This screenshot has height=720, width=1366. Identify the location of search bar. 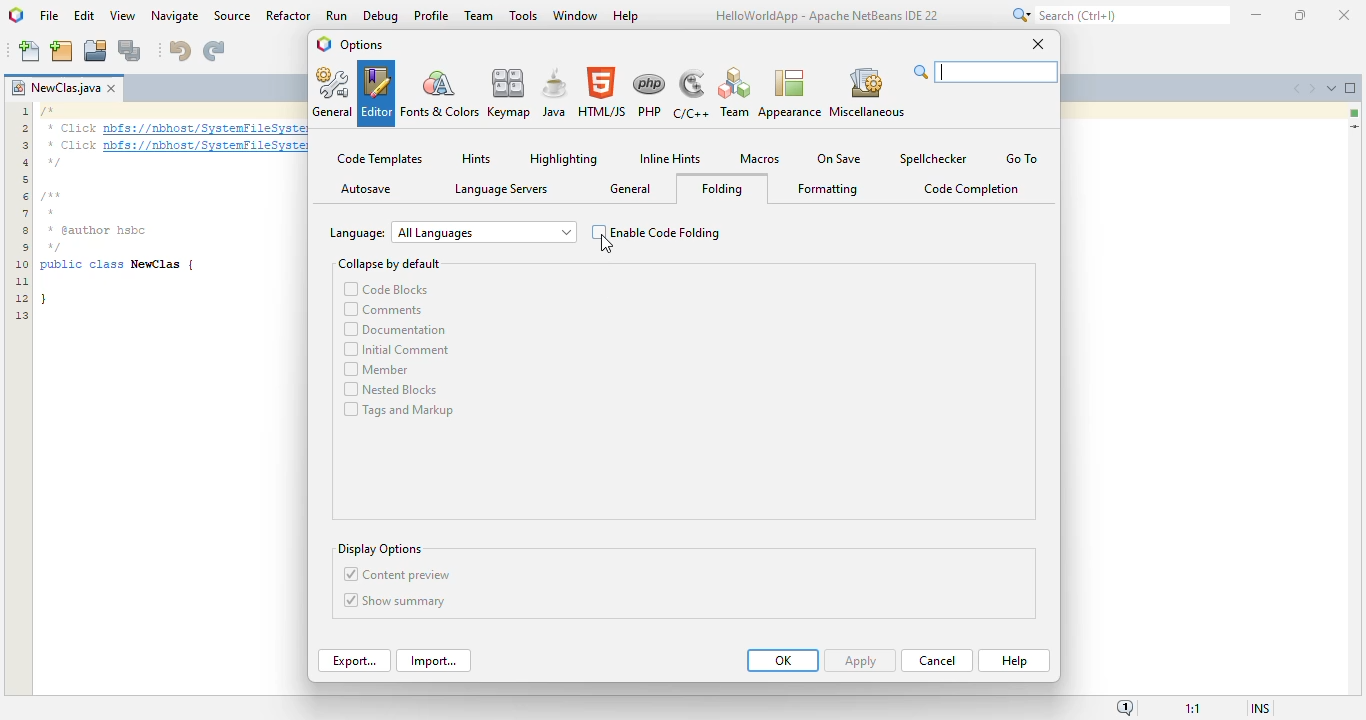
(983, 72).